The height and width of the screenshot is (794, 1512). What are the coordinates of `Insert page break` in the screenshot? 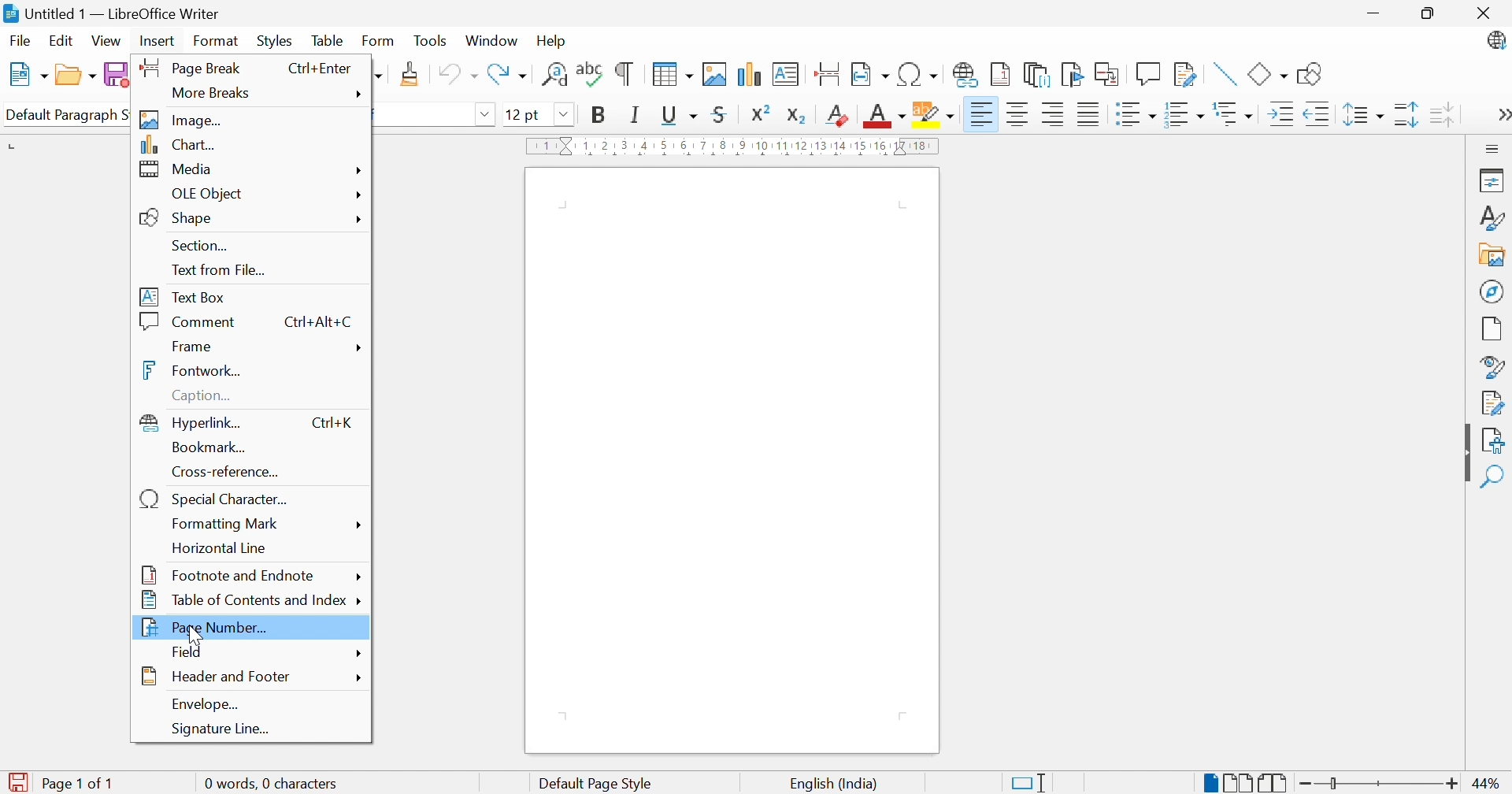 It's located at (827, 72).